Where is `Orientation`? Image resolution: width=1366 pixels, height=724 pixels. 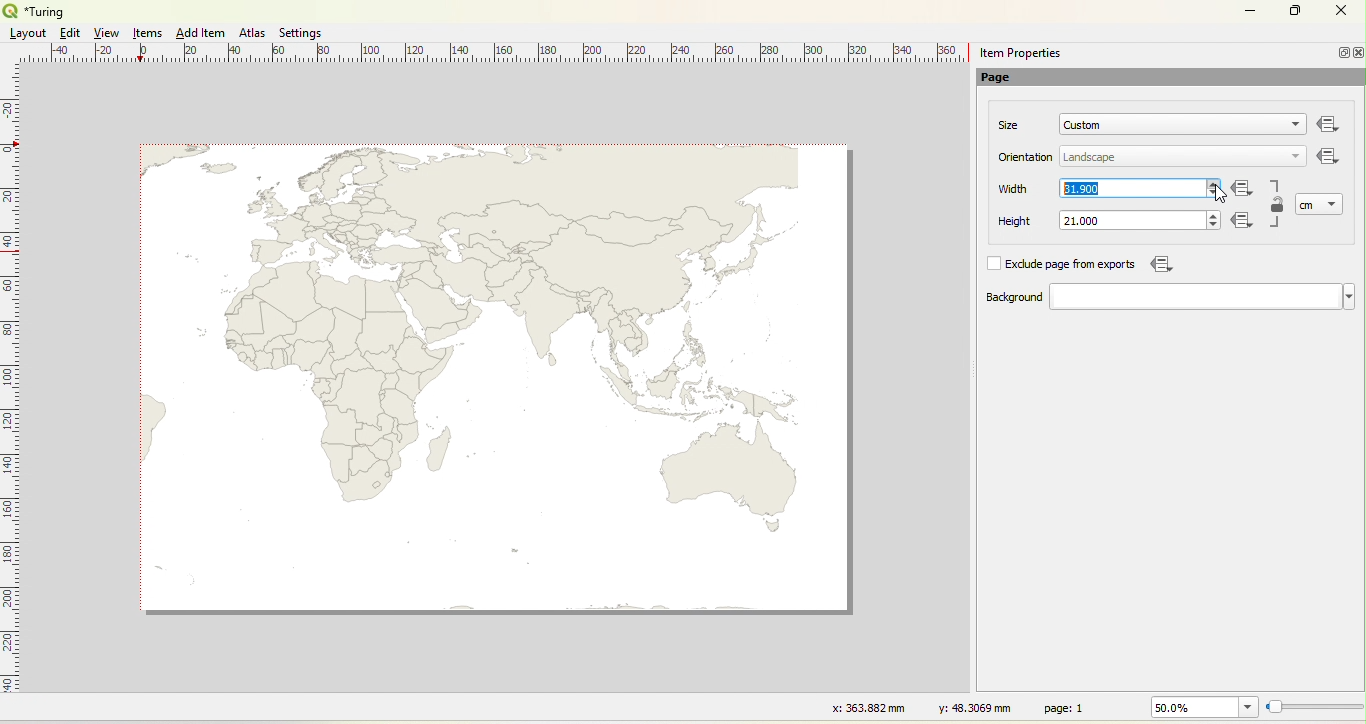
Orientation is located at coordinates (1027, 157).